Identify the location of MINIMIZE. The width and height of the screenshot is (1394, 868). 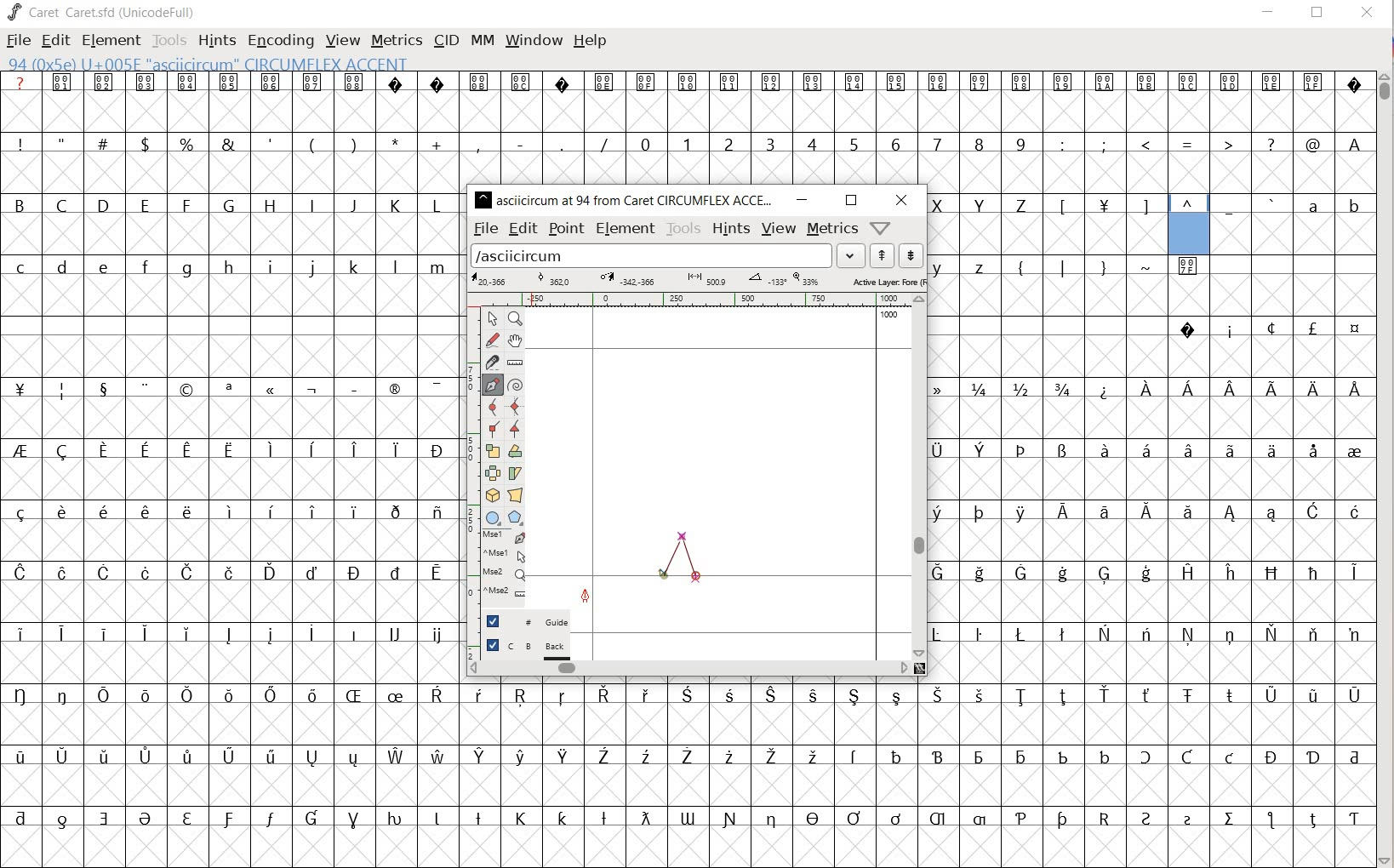
(1269, 11).